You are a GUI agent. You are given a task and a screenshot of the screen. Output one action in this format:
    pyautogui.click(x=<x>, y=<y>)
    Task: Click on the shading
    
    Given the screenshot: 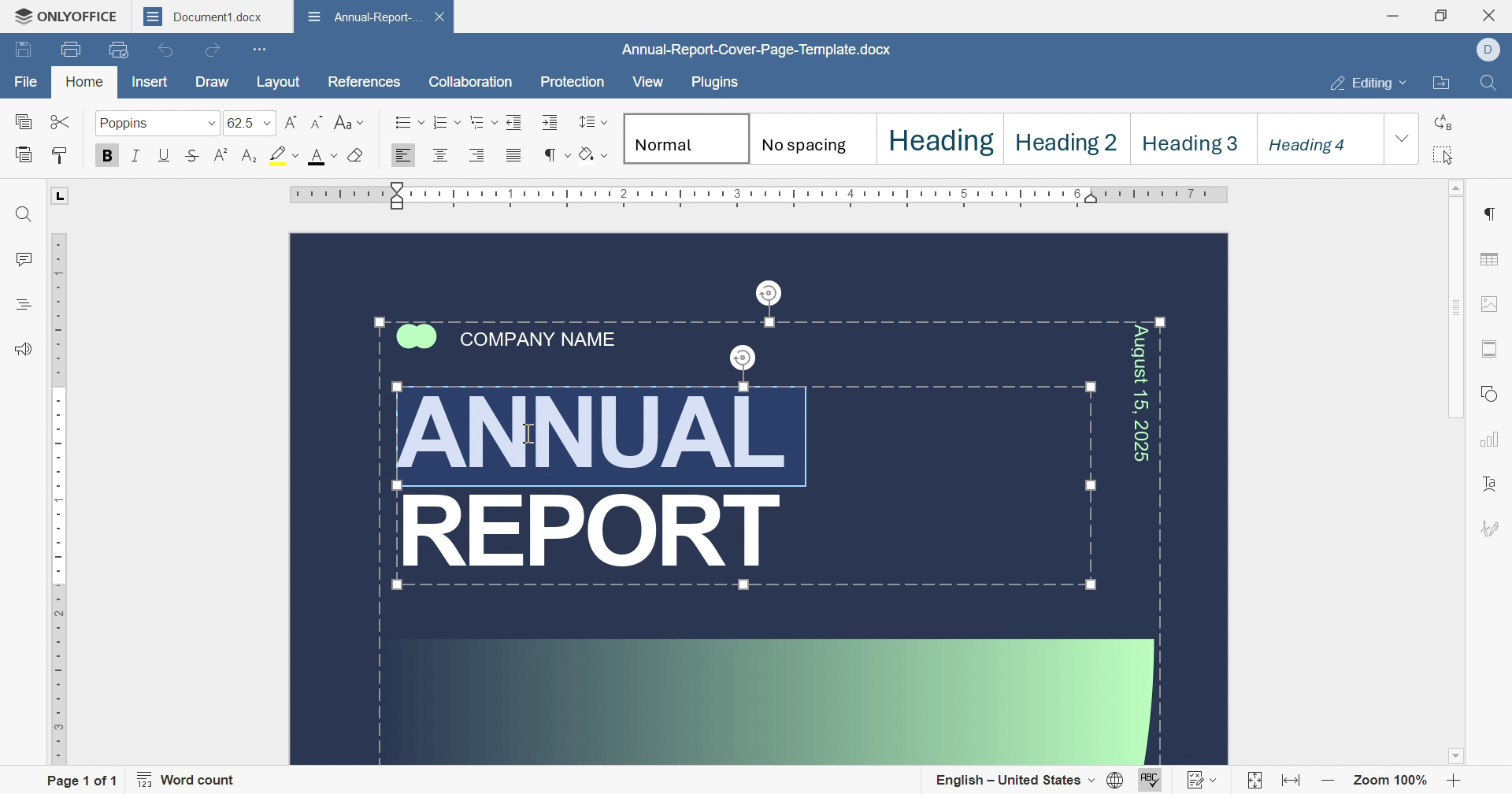 What is the action you would take?
    pyautogui.click(x=594, y=154)
    